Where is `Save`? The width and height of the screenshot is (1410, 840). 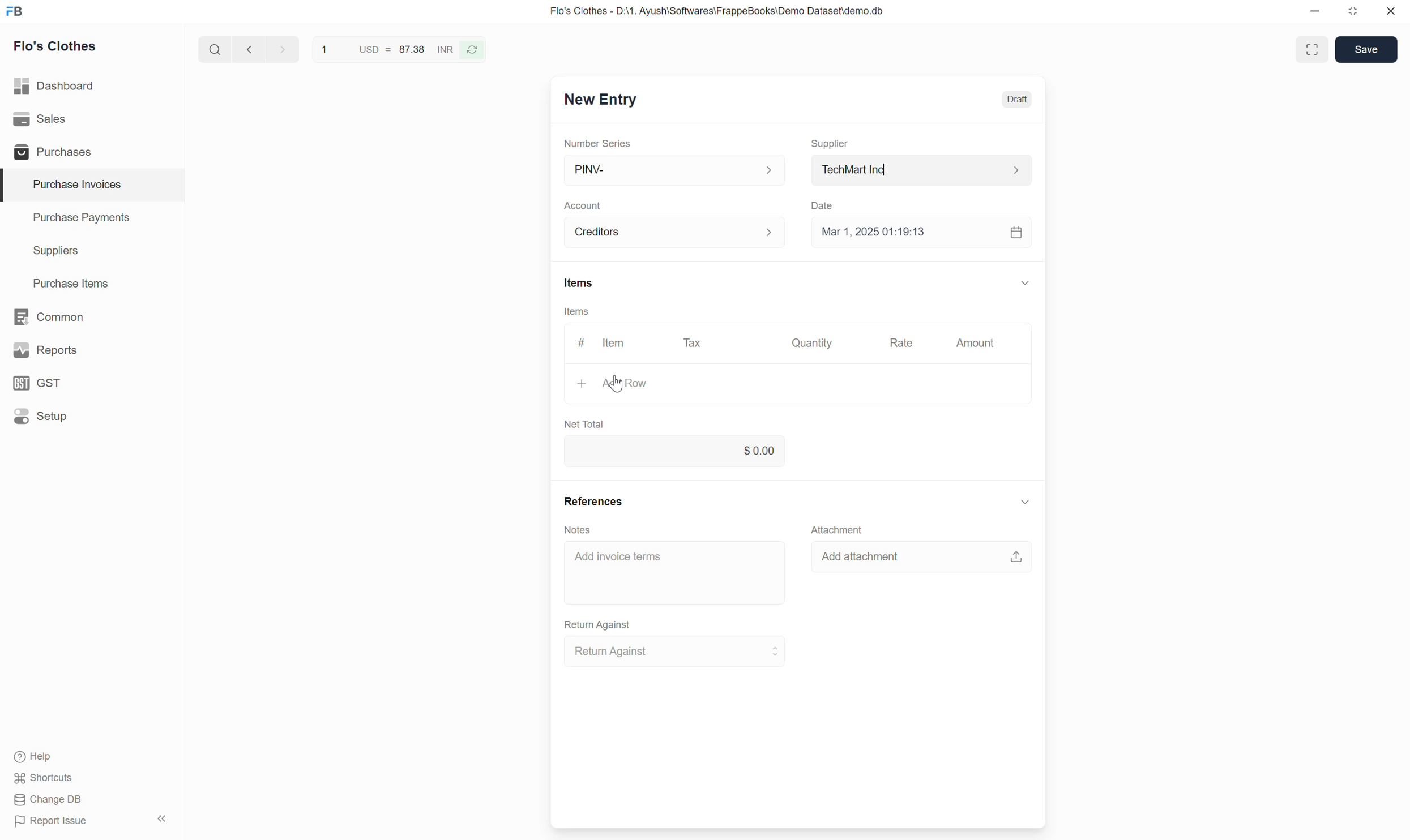
Save is located at coordinates (1365, 49).